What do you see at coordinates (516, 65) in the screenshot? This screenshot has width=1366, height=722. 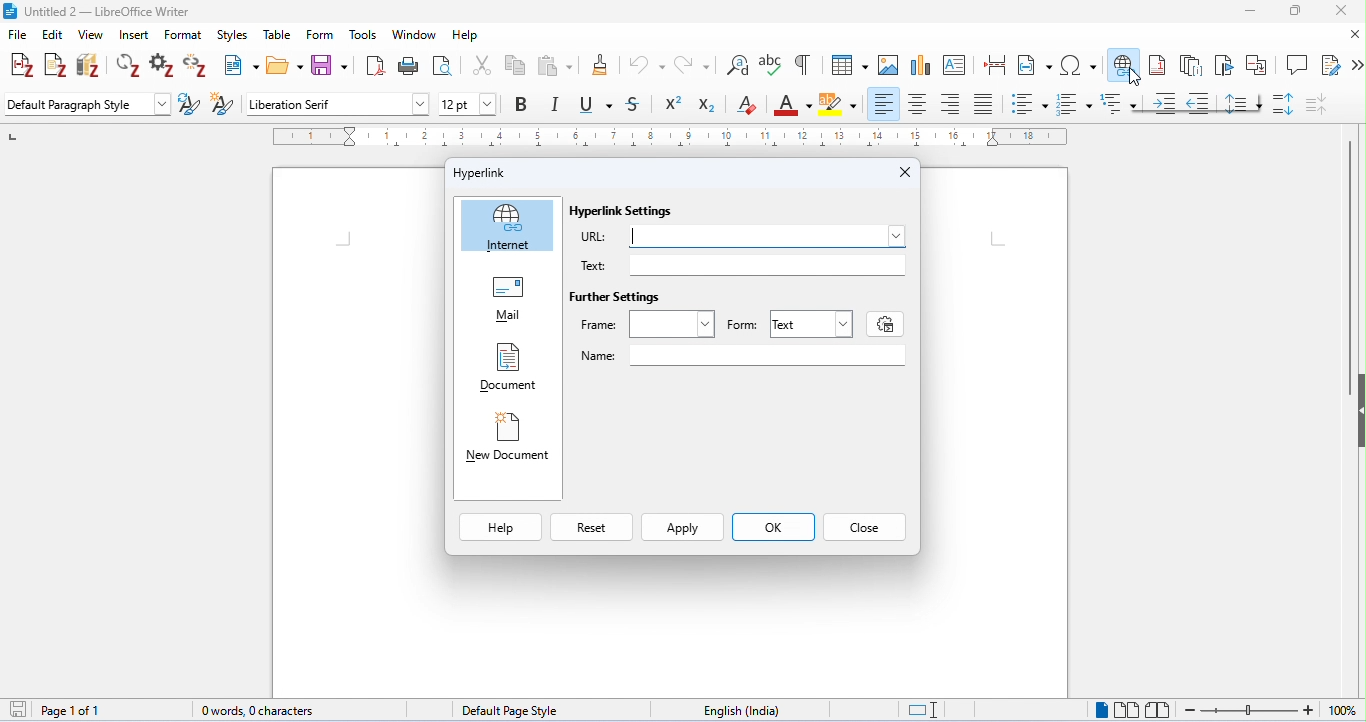 I see `copy` at bounding box center [516, 65].